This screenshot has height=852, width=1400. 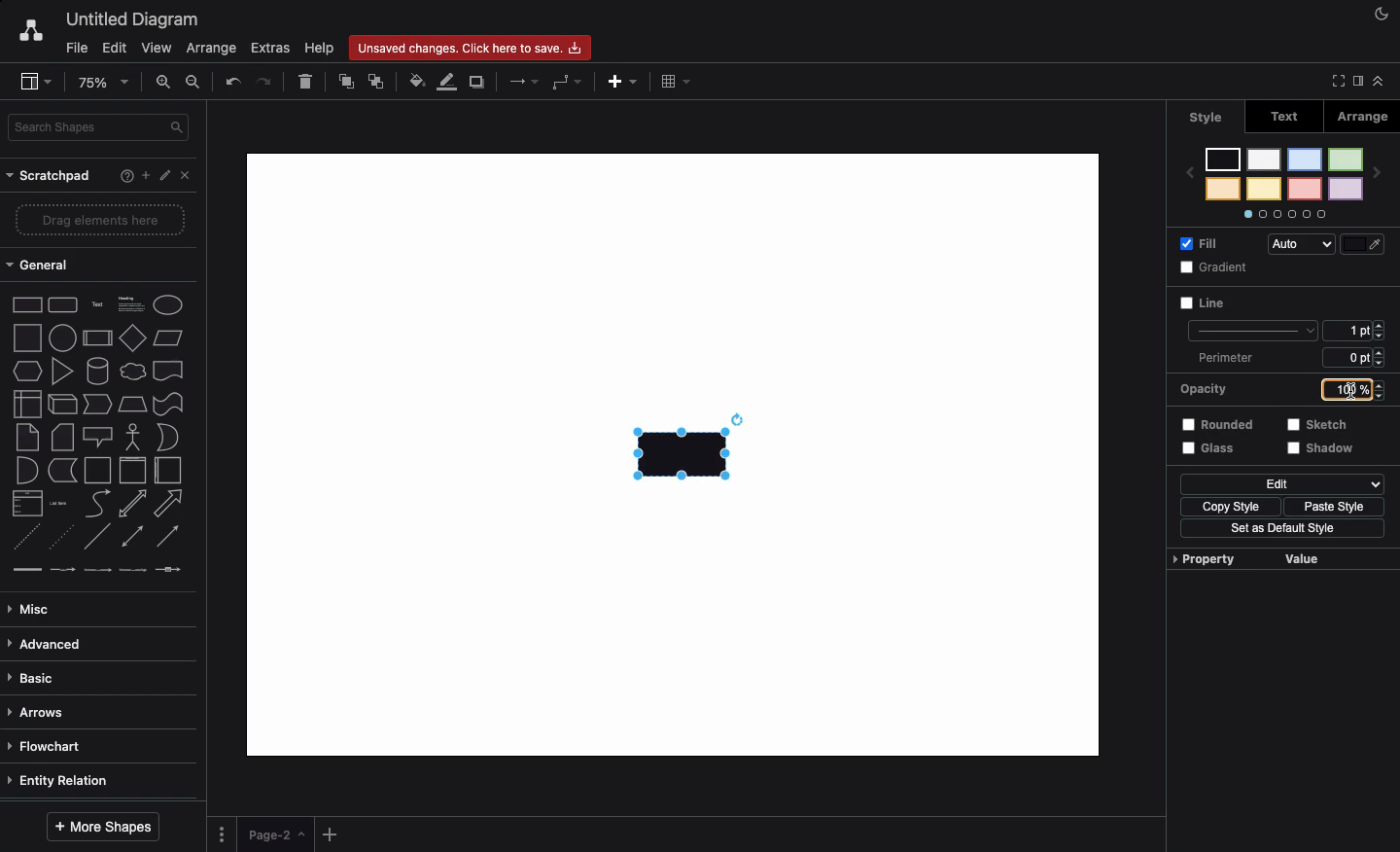 I want to click on or, so click(x=172, y=437).